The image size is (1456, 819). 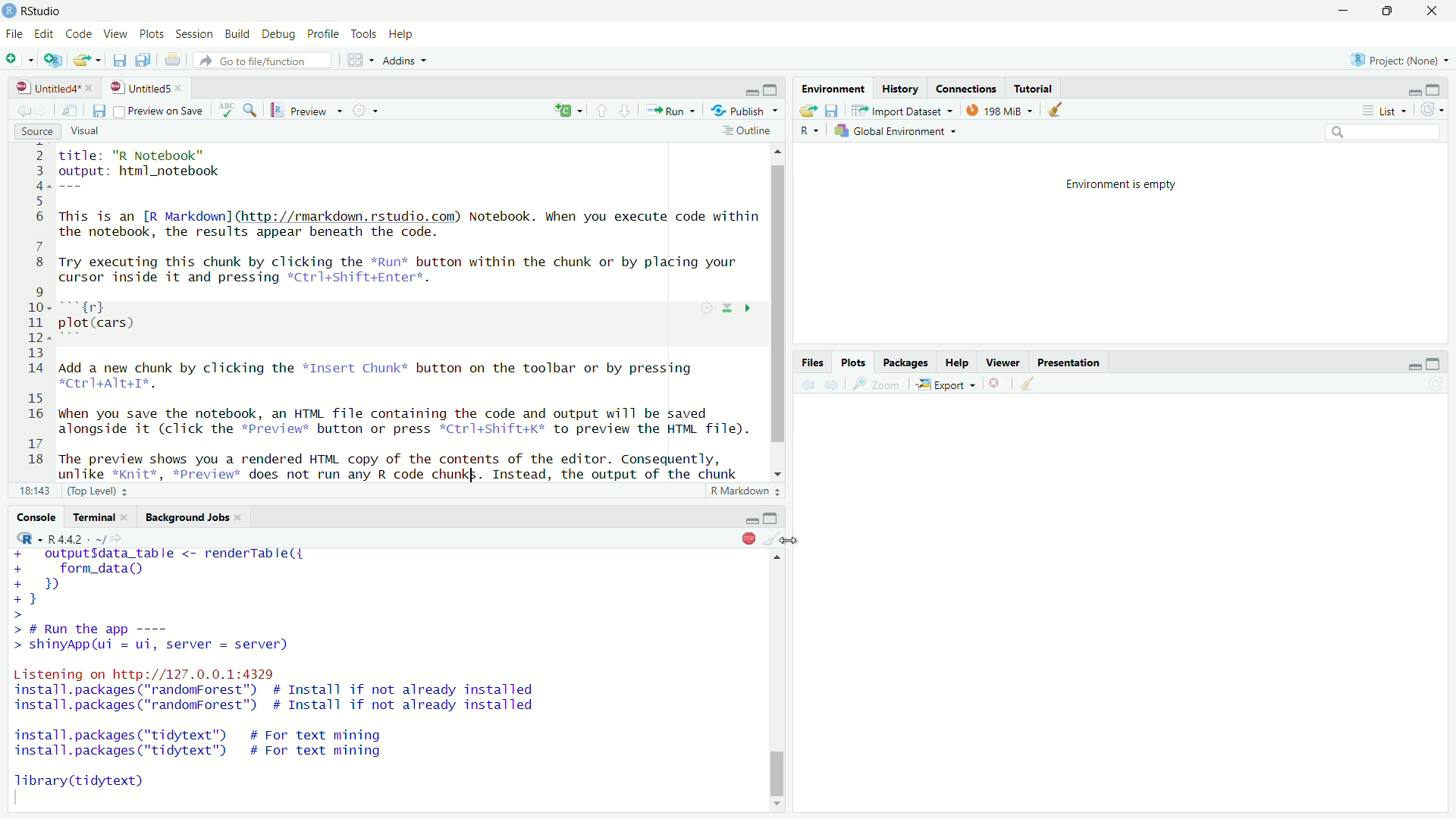 I want to click on Files, so click(x=810, y=362).